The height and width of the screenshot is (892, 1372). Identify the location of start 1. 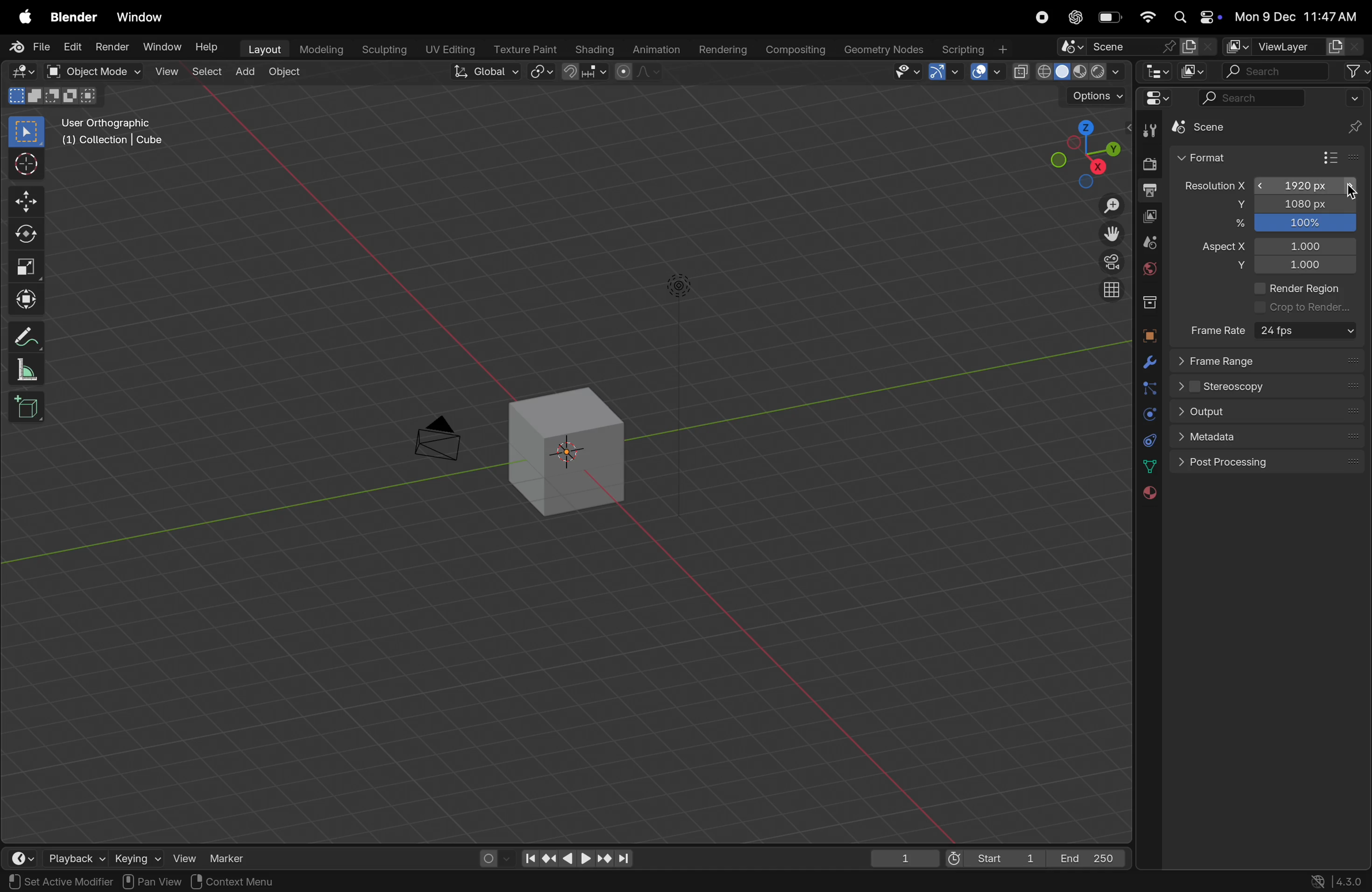
(993, 857).